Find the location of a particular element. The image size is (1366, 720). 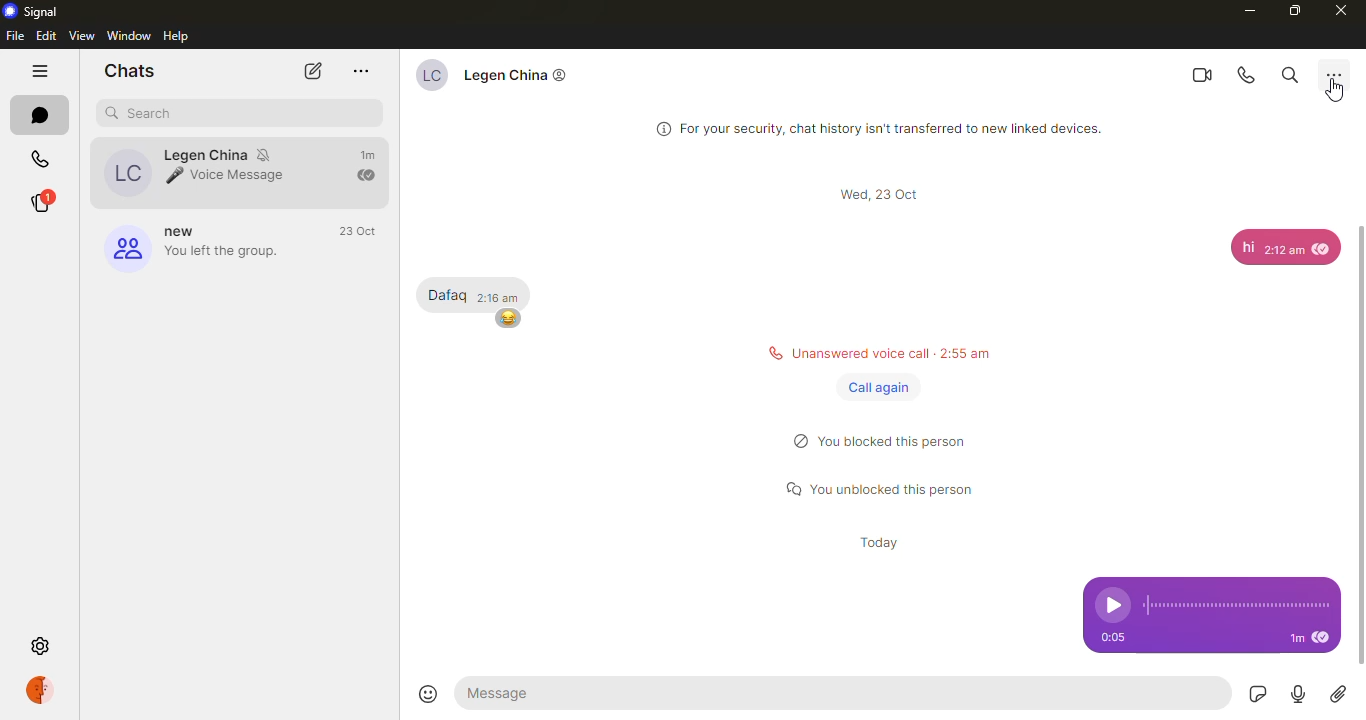

hide tabs is located at coordinates (42, 71).